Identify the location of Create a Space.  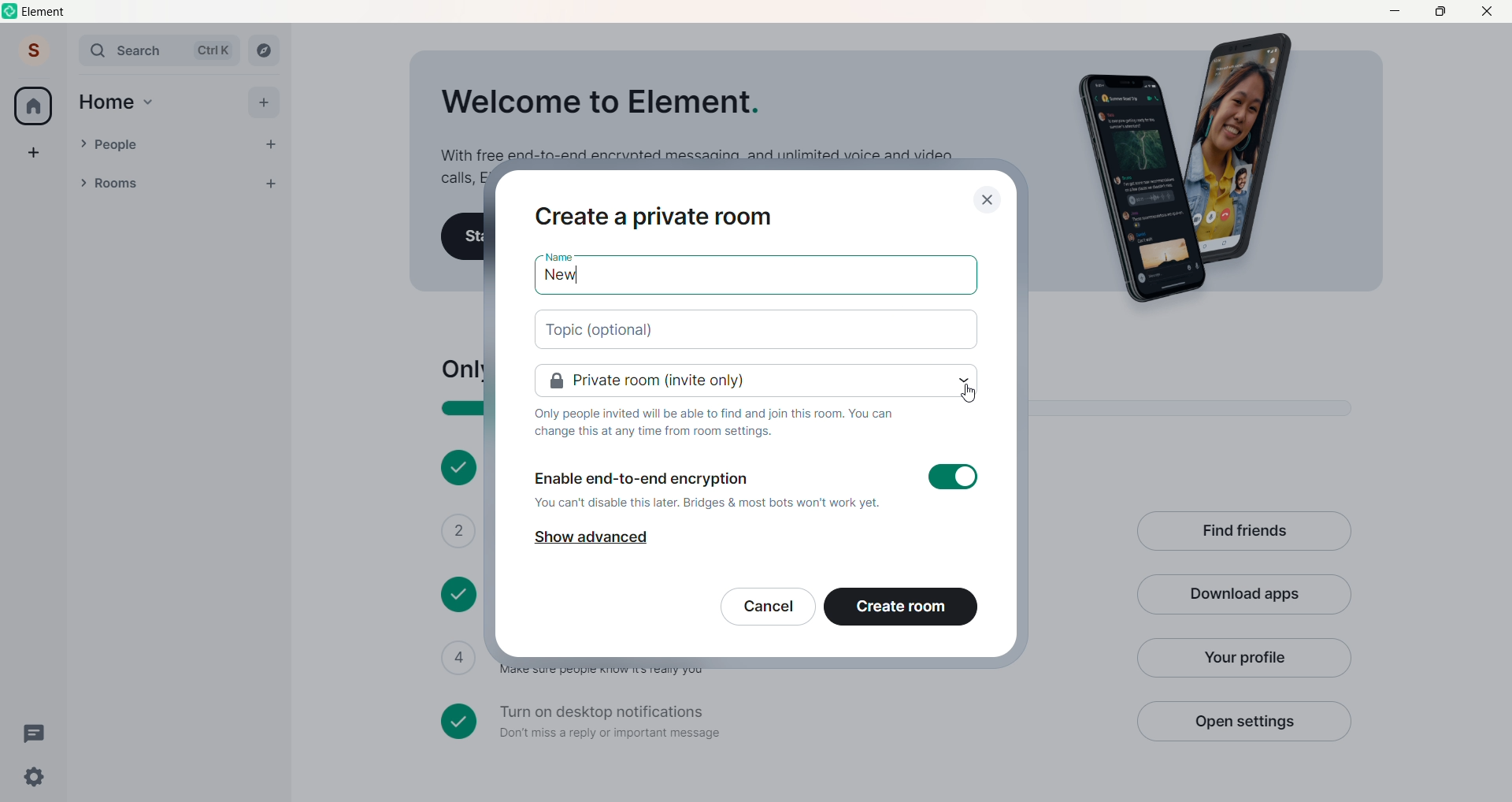
(34, 152).